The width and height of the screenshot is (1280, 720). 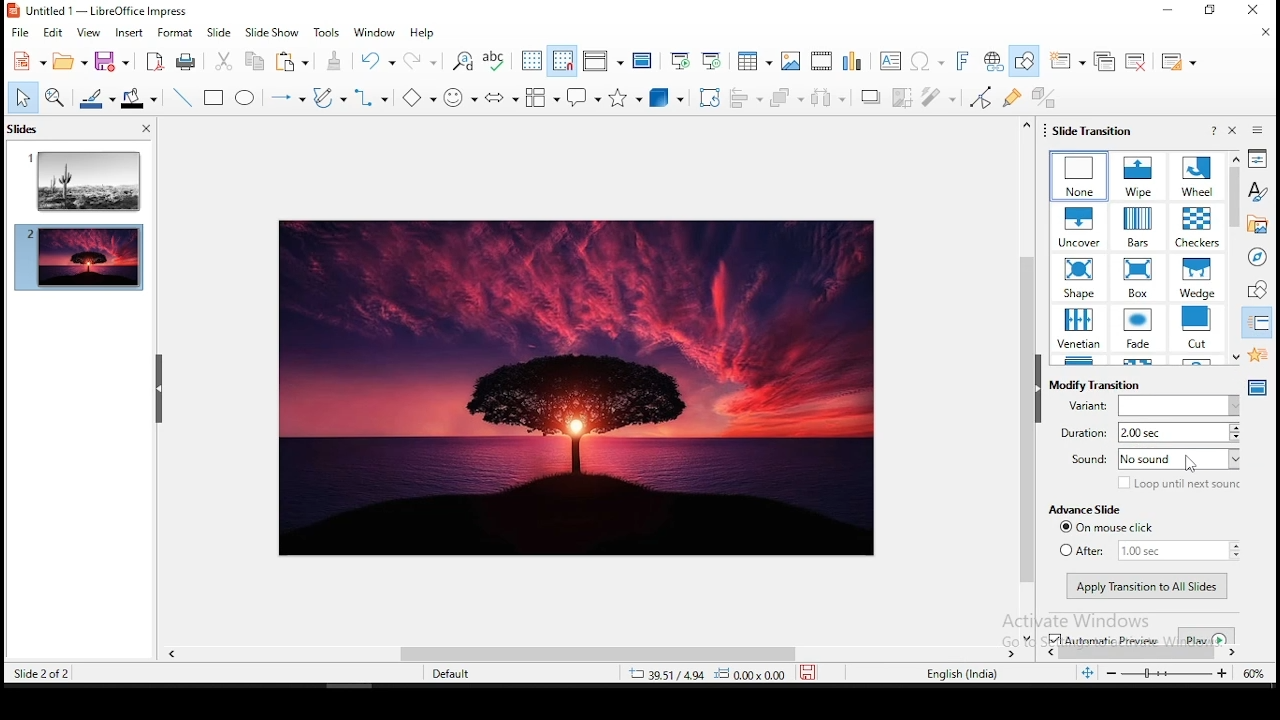 What do you see at coordinates (679, 56) in the screenshot?
I see `start from first slide` at bounding box center [679, 56].